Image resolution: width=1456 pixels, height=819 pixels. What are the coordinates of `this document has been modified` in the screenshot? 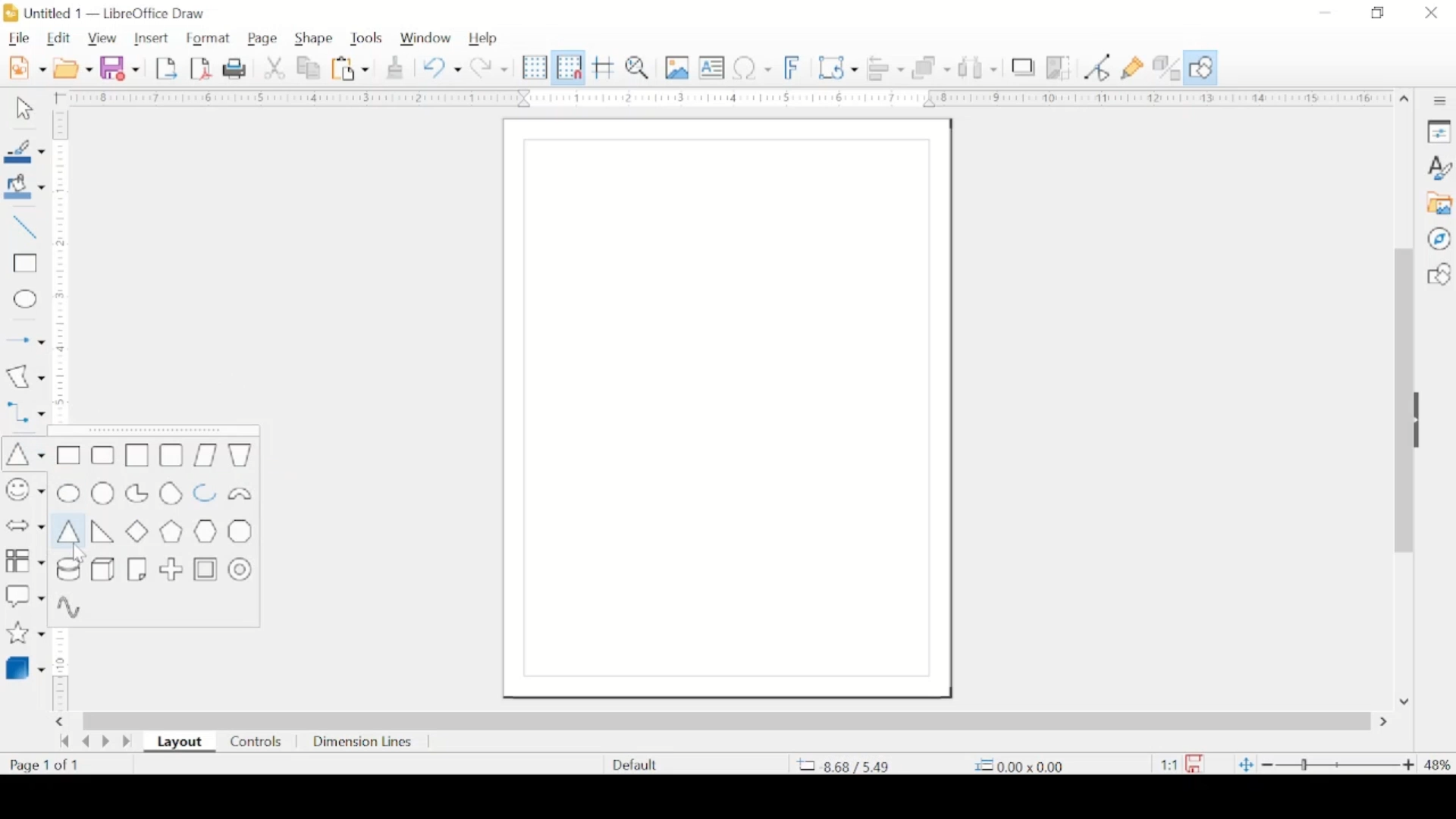 It's located at (1178, 761).